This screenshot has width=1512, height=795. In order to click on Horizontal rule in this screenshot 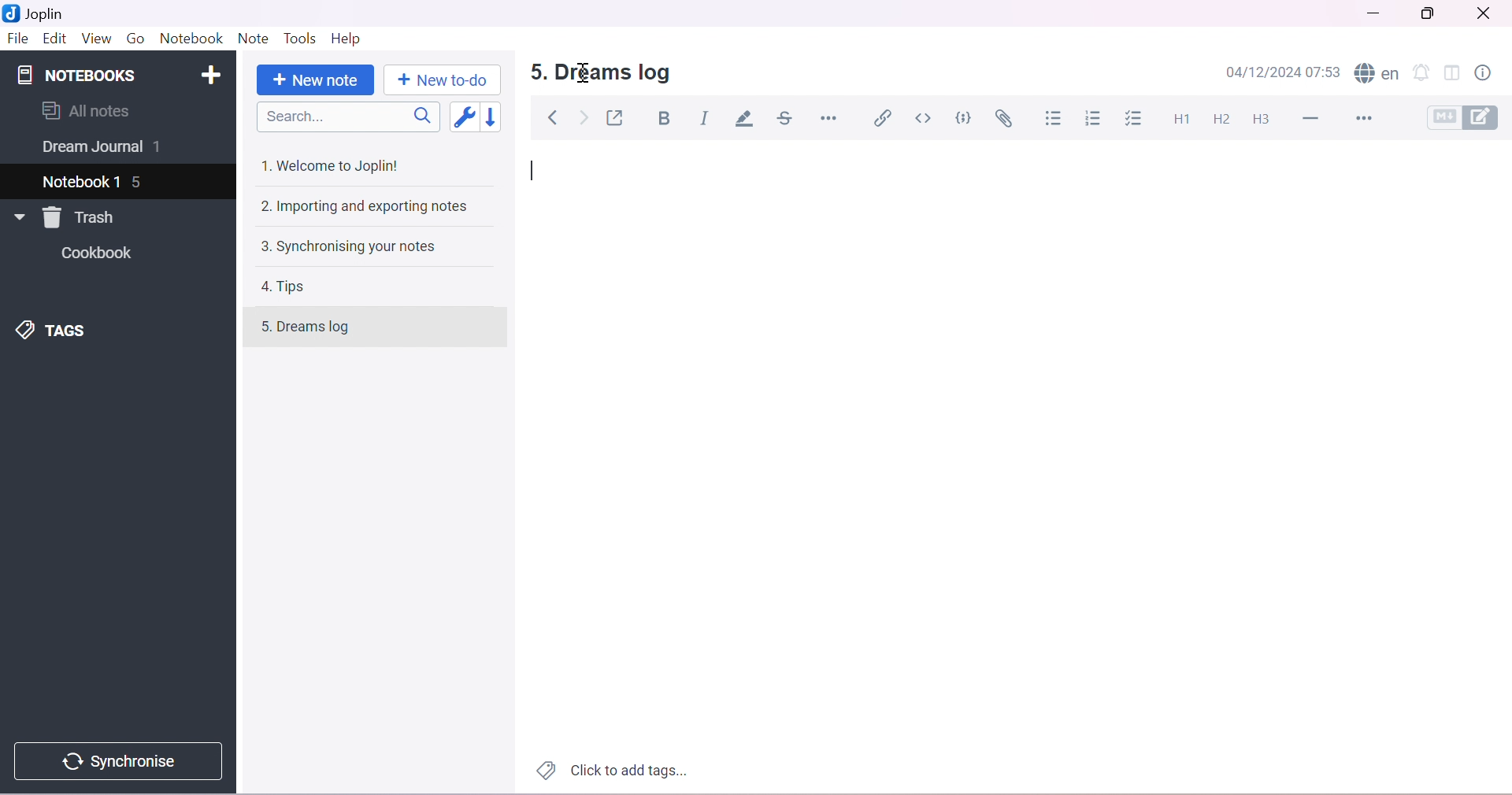, I will do `click(828, 117)`.